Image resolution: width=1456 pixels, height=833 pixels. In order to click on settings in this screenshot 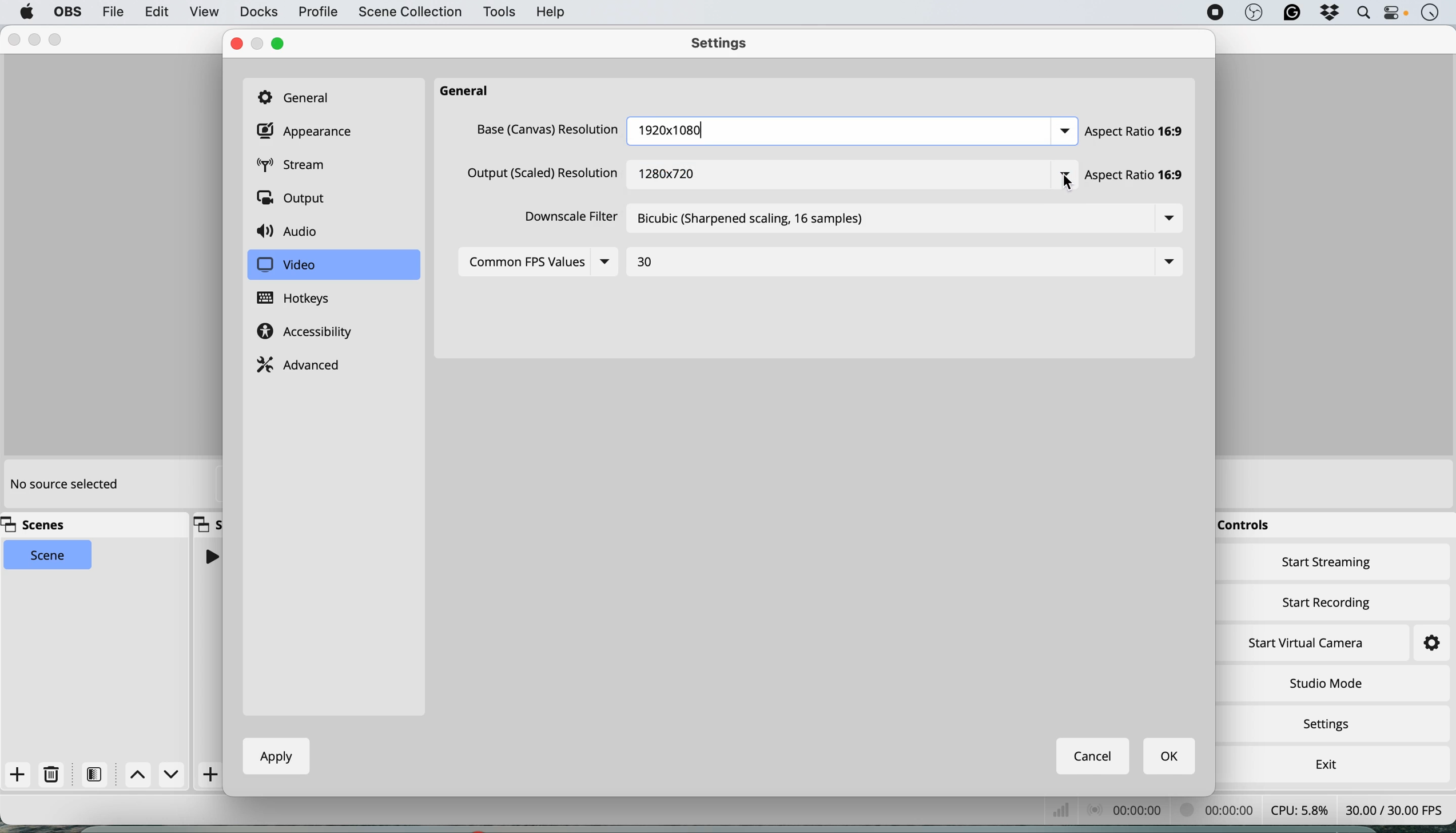, I will do `click(725, 45)`.